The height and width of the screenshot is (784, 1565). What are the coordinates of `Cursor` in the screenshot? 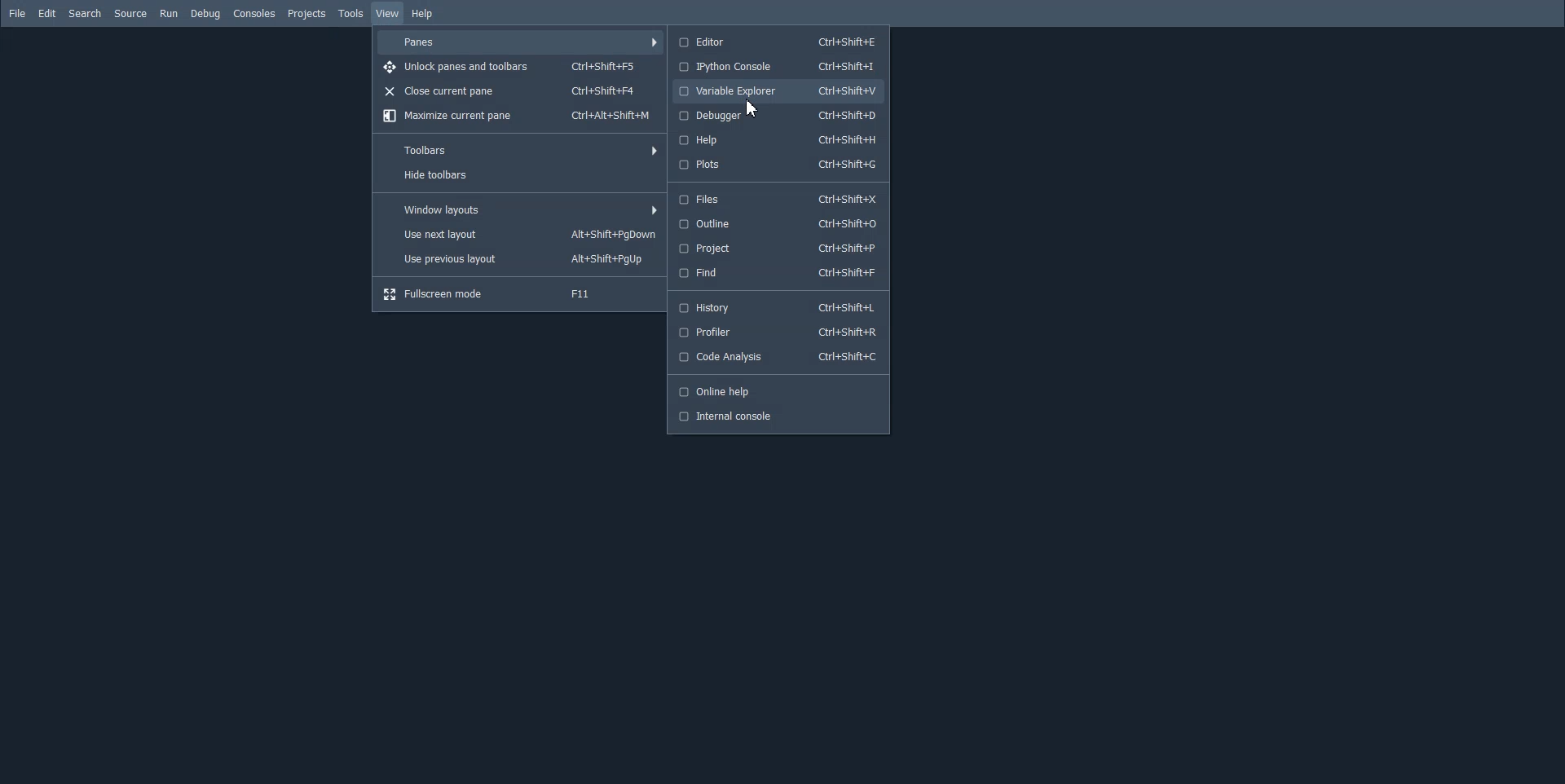 It's located at (754, 108).